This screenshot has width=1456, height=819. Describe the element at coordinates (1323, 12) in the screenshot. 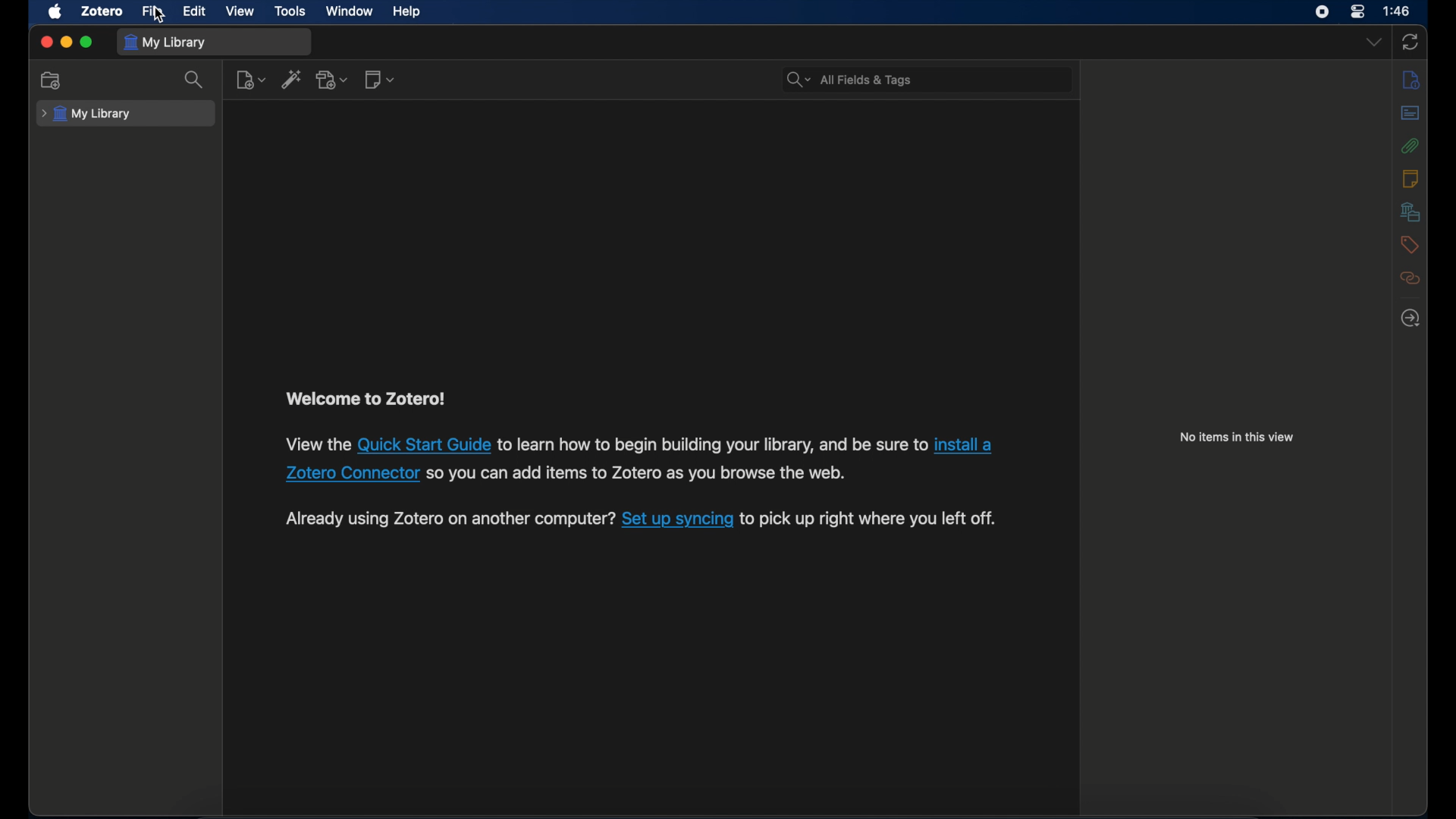

I see `screen recorder` at that location.